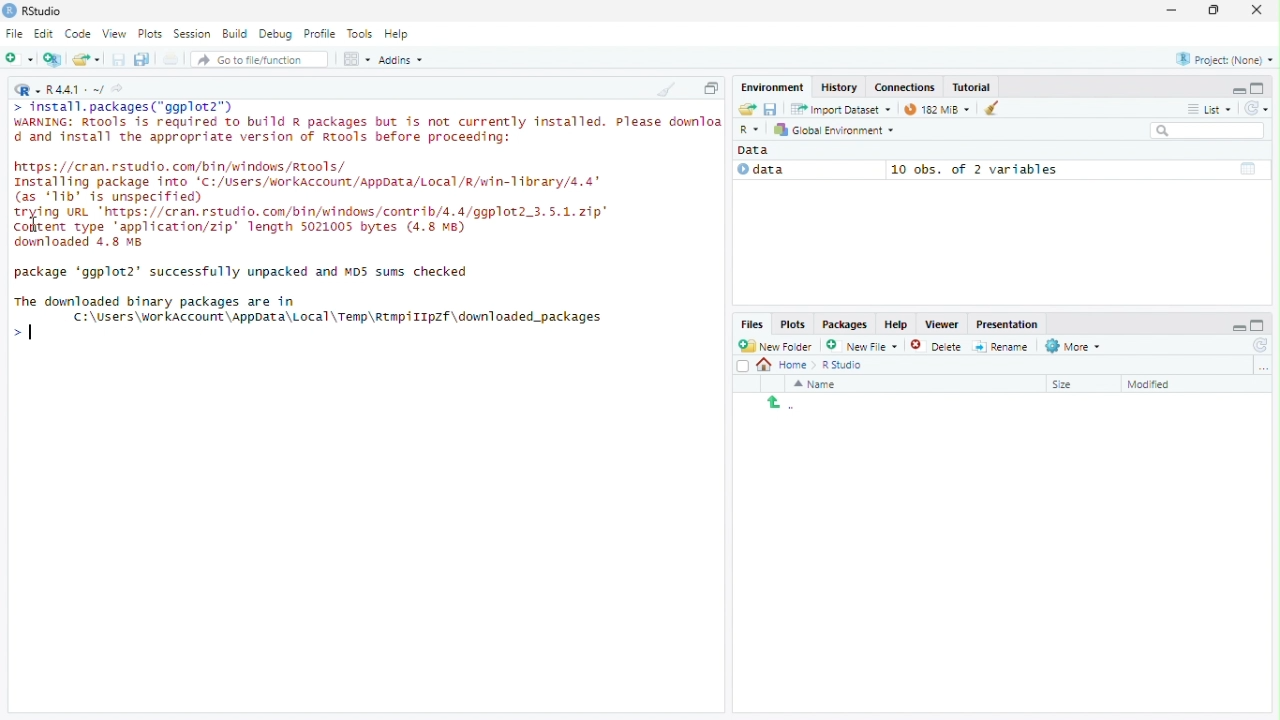 The width and height of the screenshot is (1280, 720). Describe the element at coordinates (750, 129) in the screenshot. I see `selected language - R` at that location.